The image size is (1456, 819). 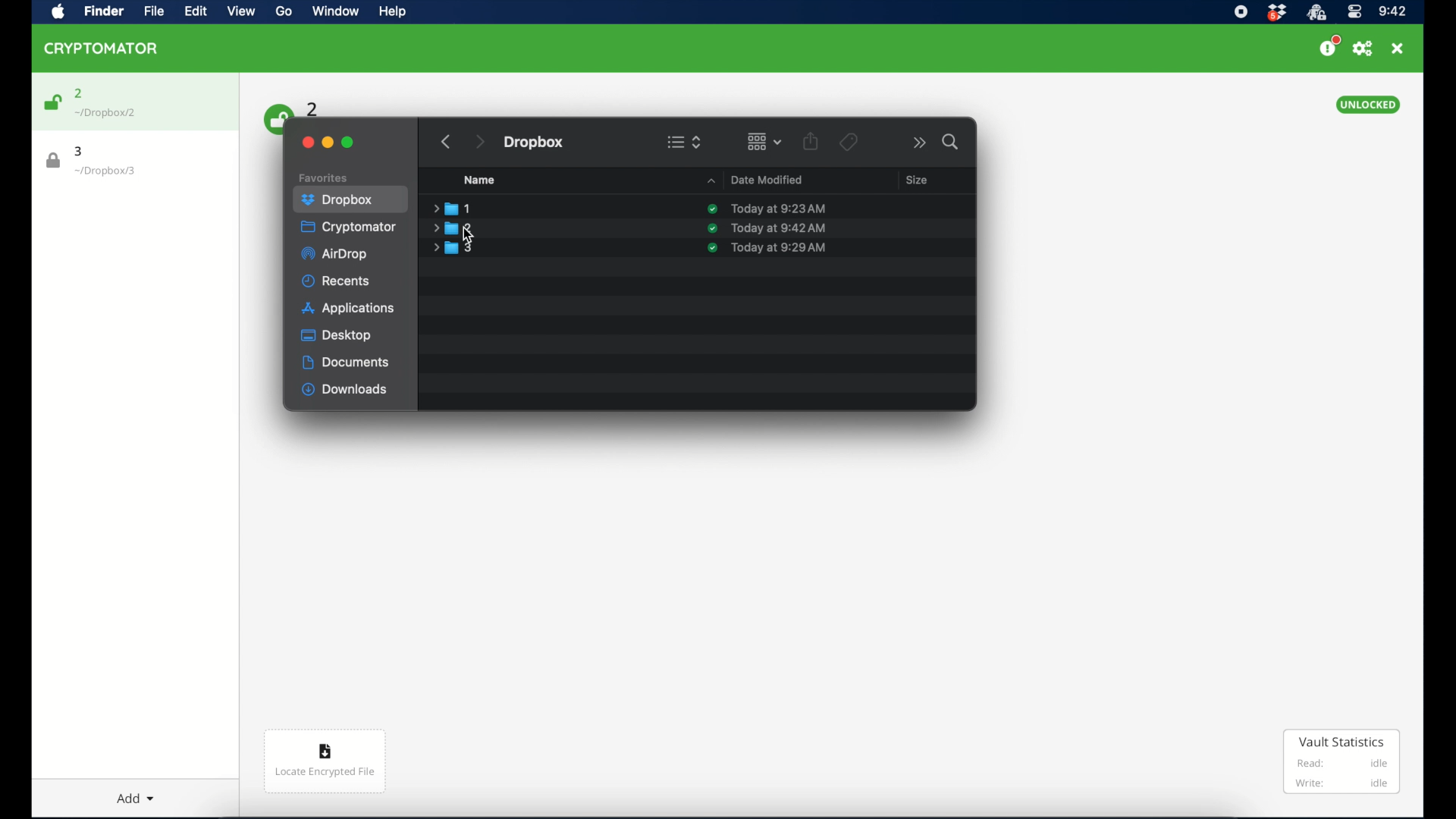 I want to click on unlock  icon, so click(x=52, y=102).